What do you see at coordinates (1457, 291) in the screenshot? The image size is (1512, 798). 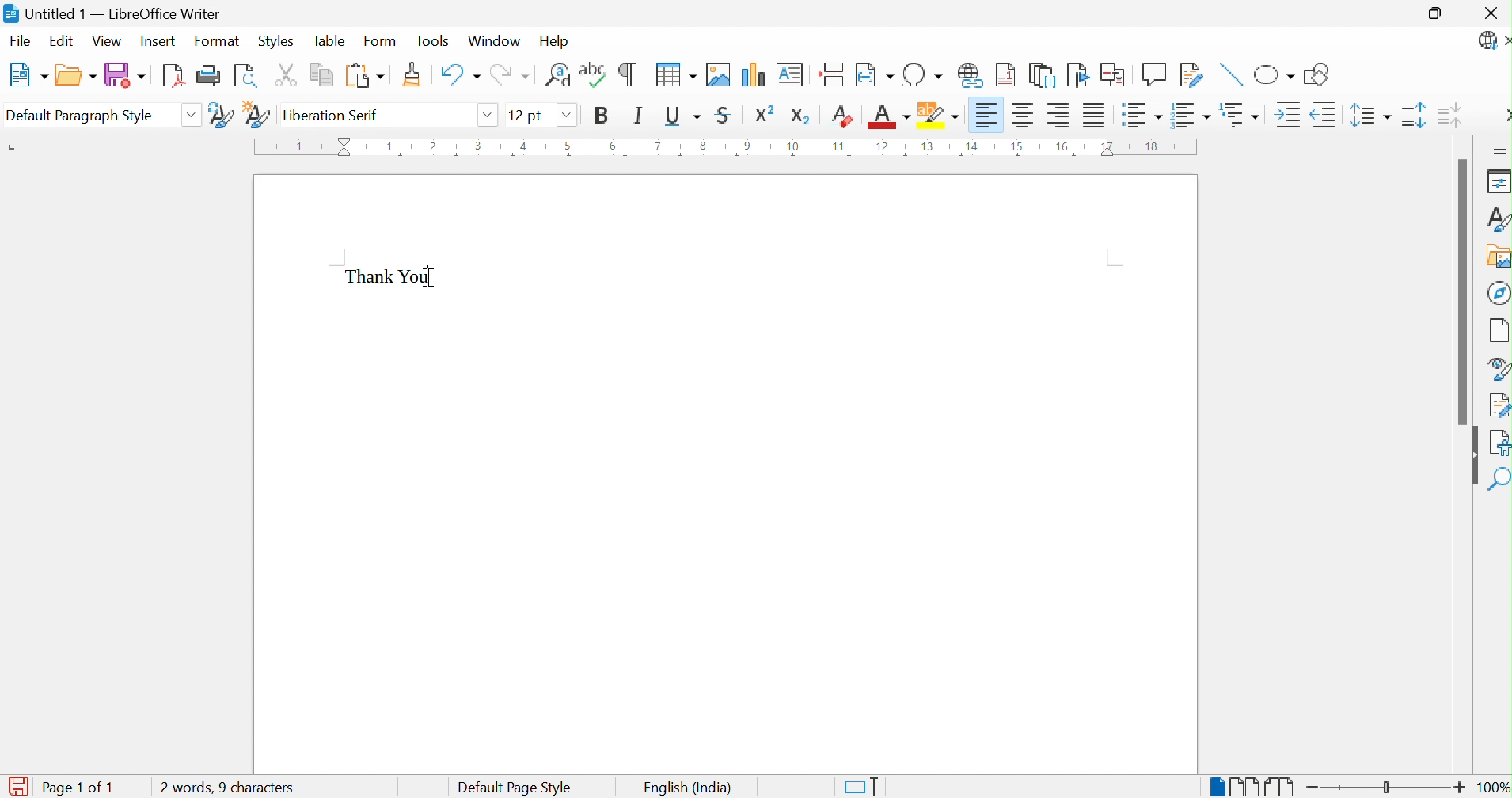 I see `Scroll Bar` at bounding box center [1457, 291].